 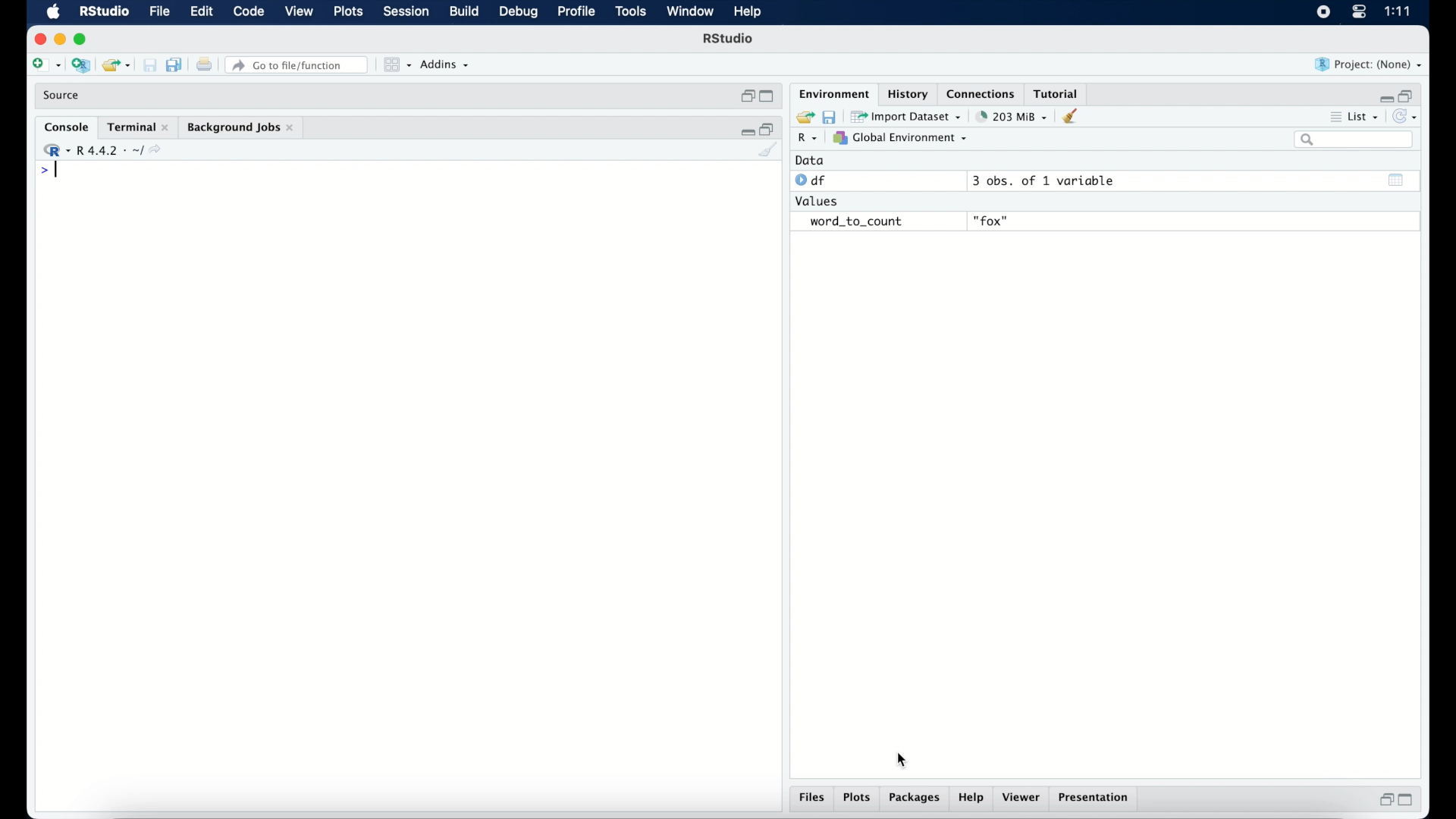 I want to click on history, so click(x=906, y=94).